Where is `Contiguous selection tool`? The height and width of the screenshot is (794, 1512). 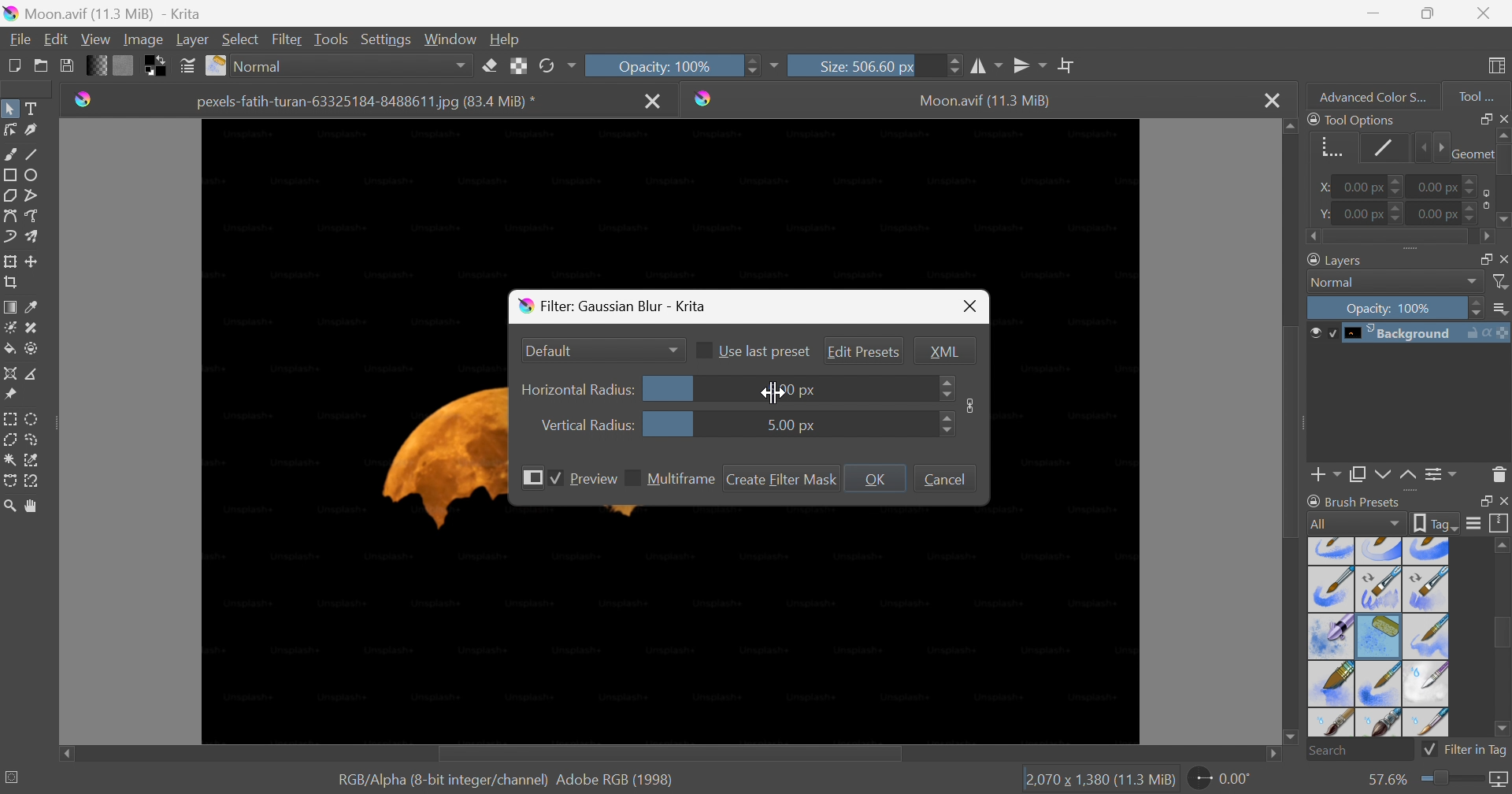 Contiguous selection tool is located at coordinates (10, 461).